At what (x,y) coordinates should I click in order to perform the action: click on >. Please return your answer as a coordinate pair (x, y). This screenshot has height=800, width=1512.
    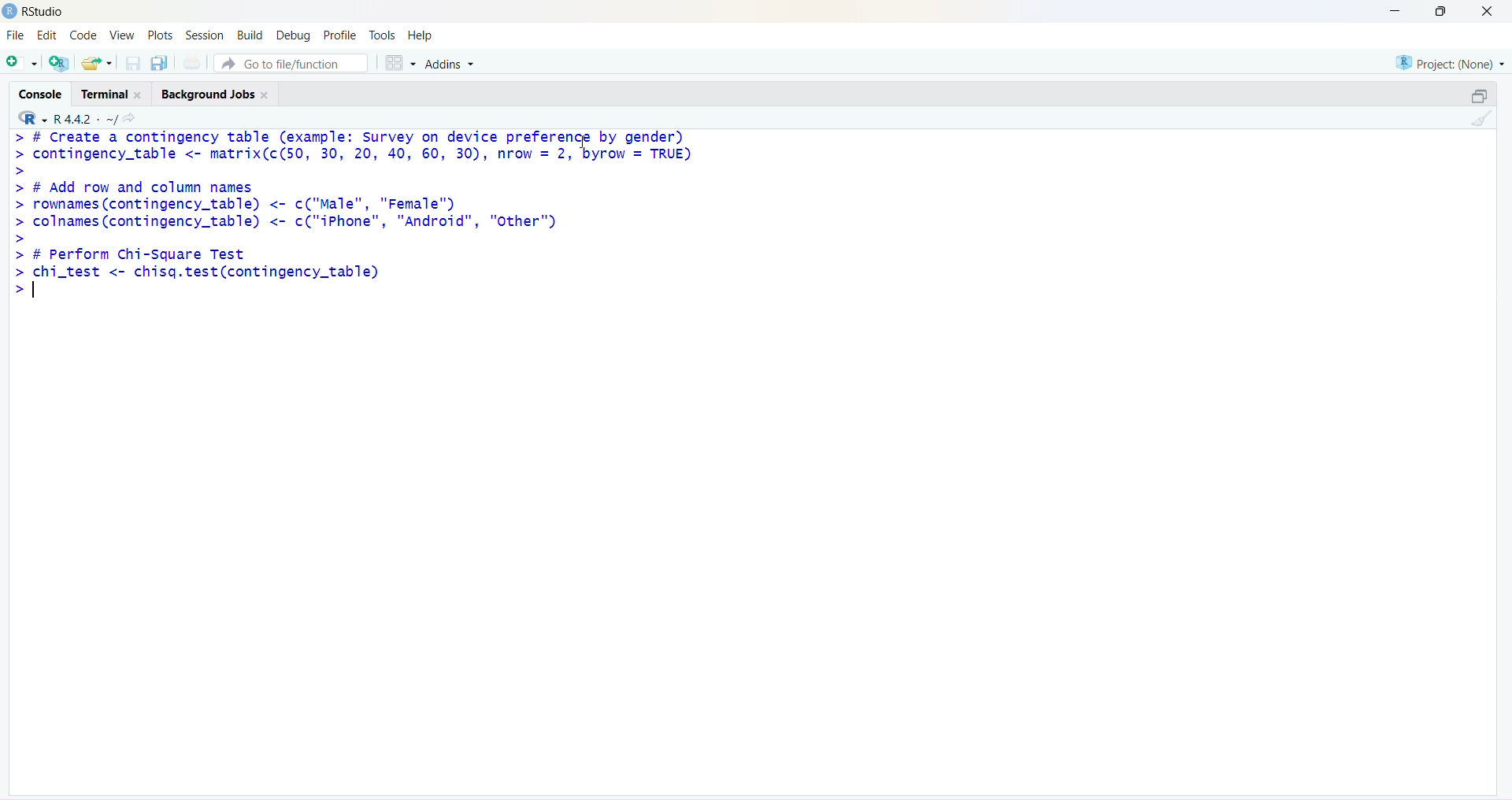
    Looking at the image, I should click on (22, 239).